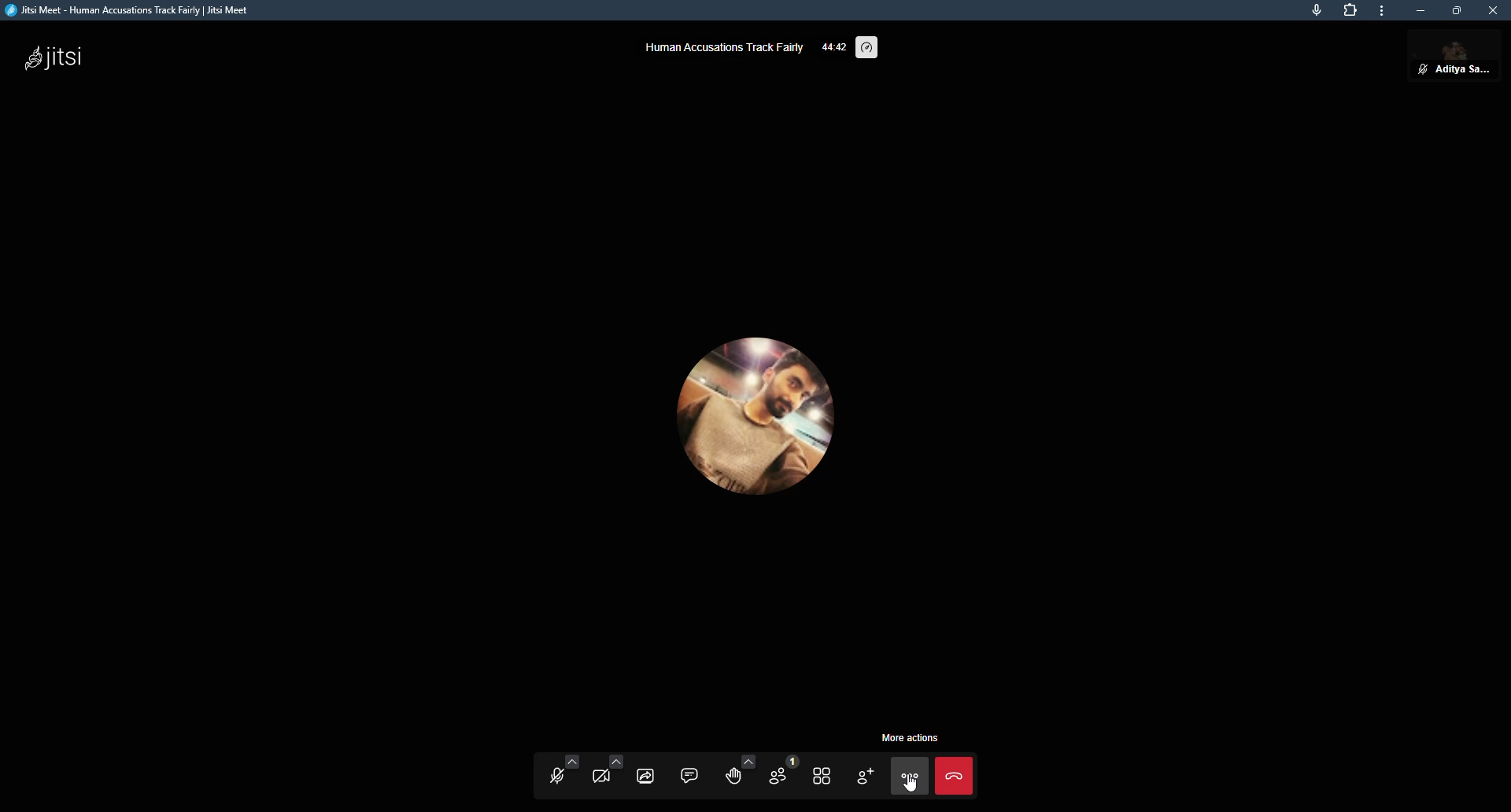 The height and width of the screenshot is (812, 1511). Describe the element at coordinates (1348, 10) in the screenshot. I see `extensions` at that location.